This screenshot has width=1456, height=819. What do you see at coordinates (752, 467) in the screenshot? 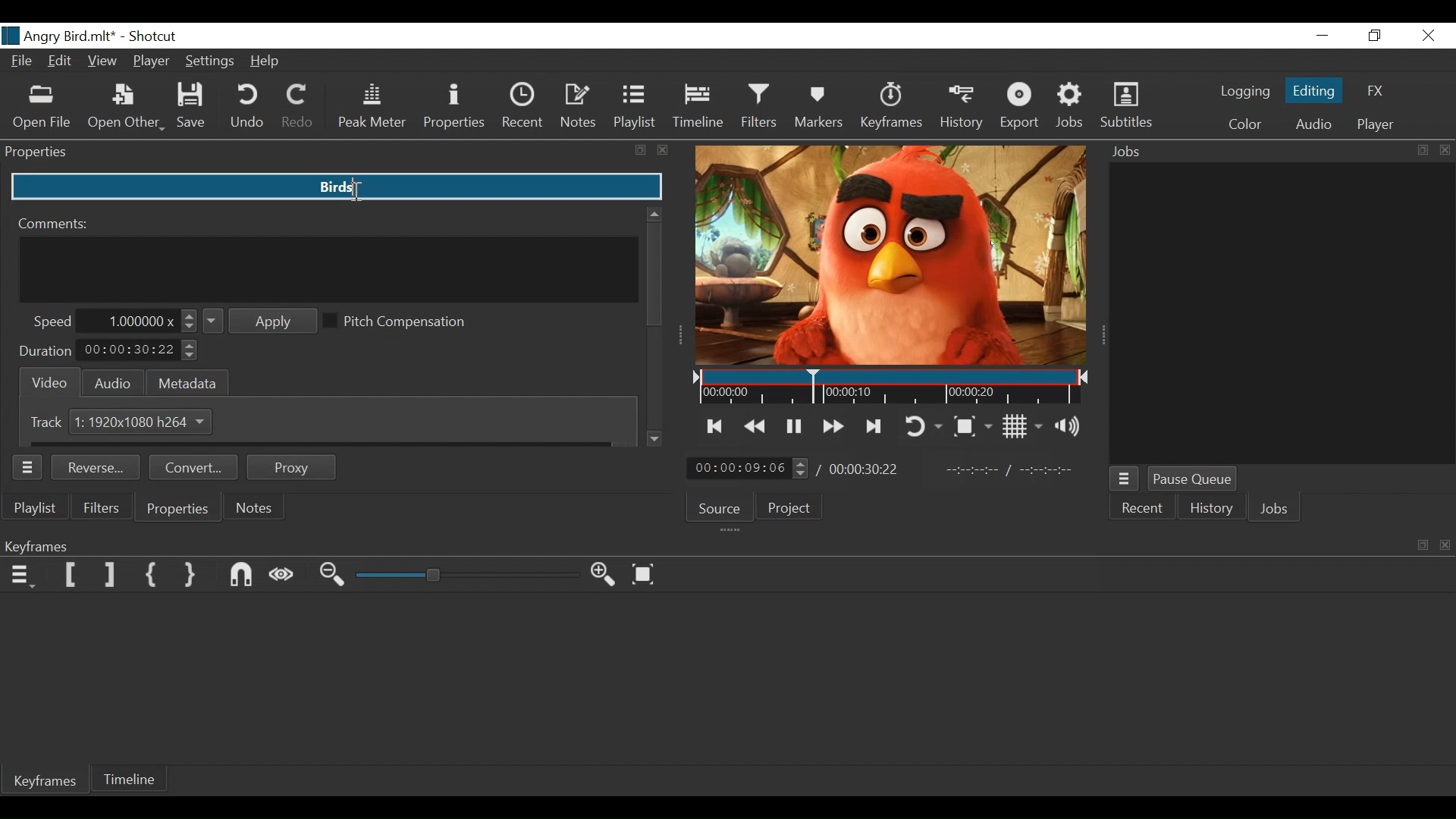
I see `Current position` at bounding box center [752, 467].